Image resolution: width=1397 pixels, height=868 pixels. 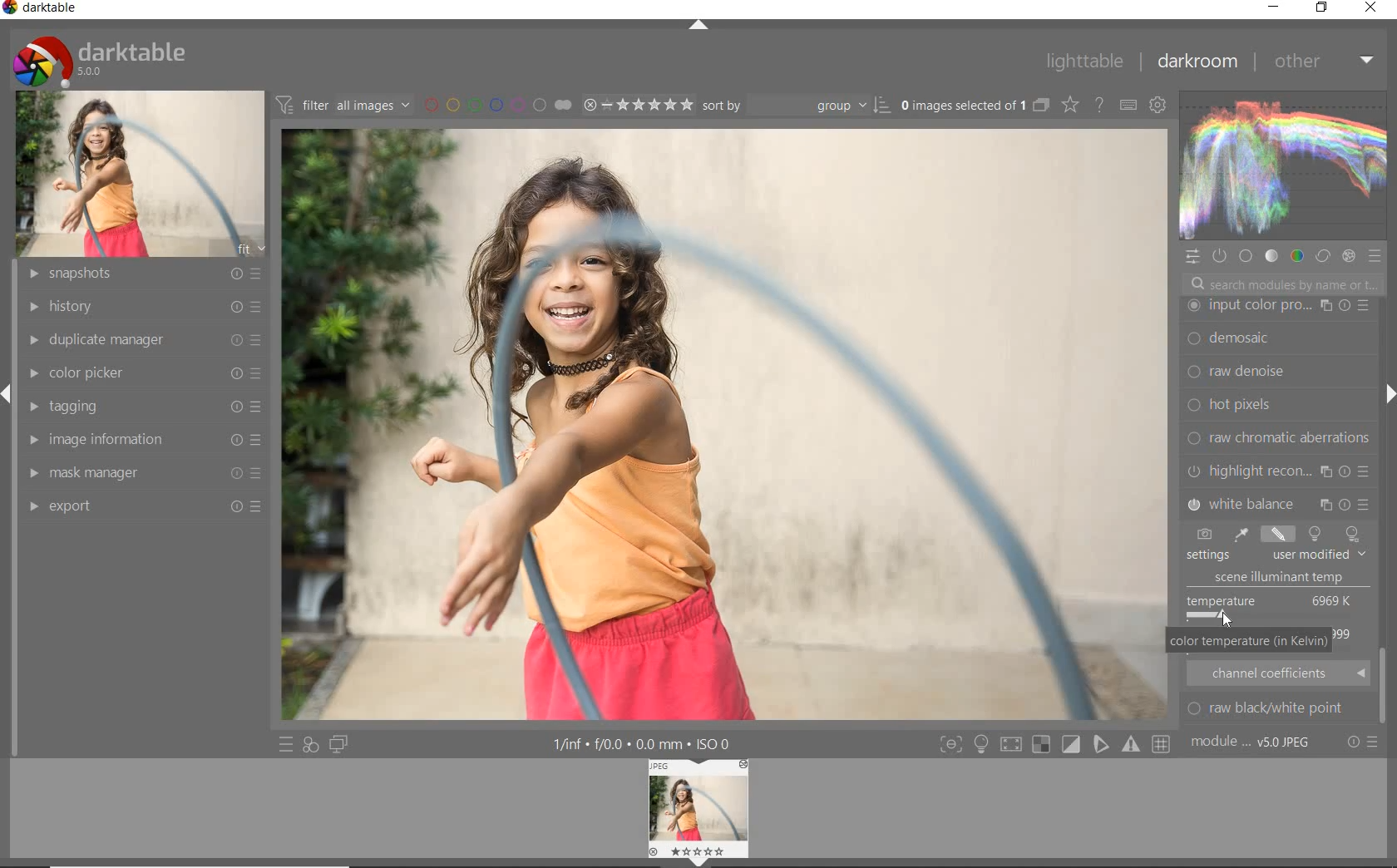 I want to click on preset, so click(x=1377, y=259).